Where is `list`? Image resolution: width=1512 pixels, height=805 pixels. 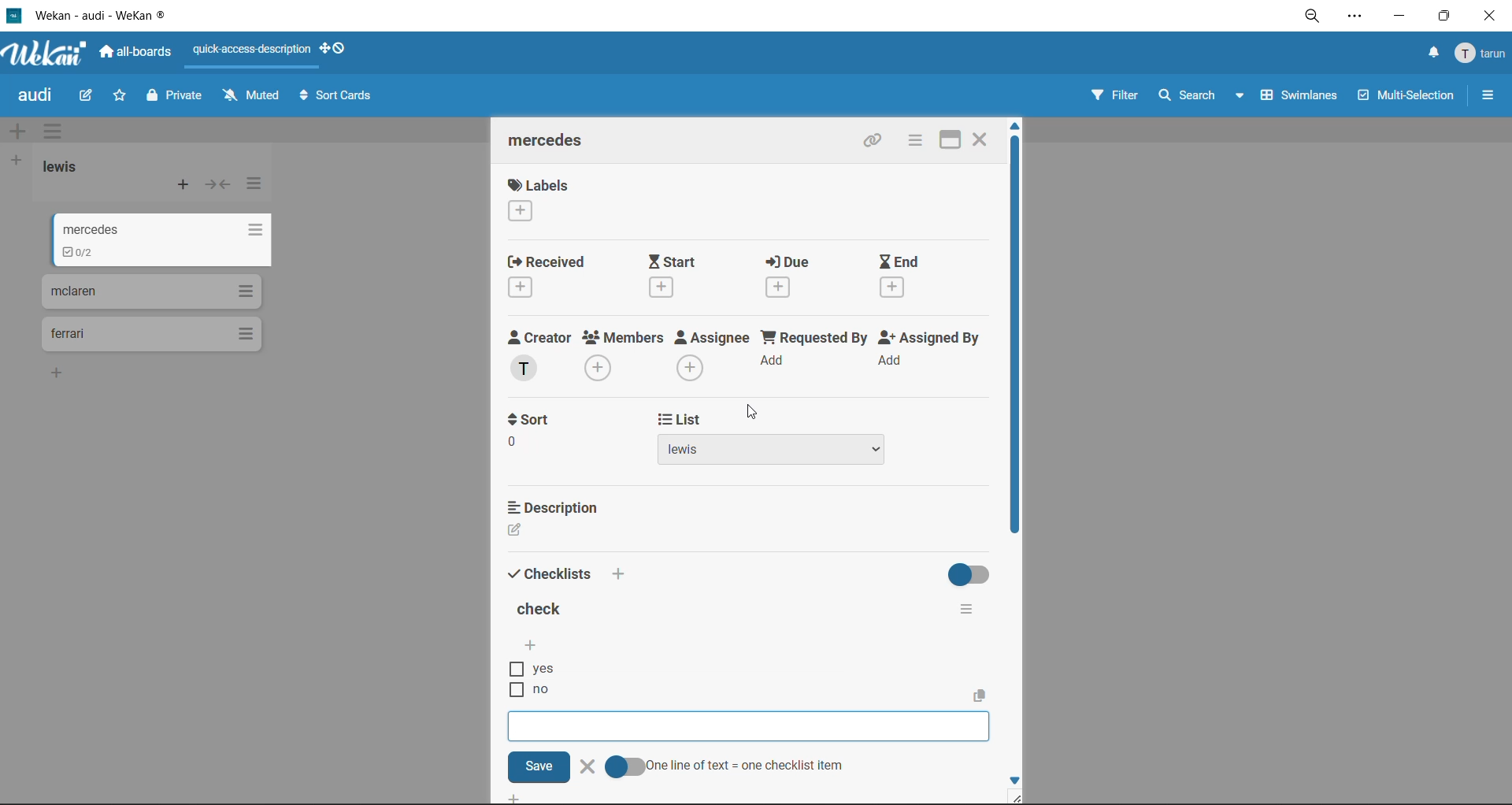
list is located at coordinates (677, 421).